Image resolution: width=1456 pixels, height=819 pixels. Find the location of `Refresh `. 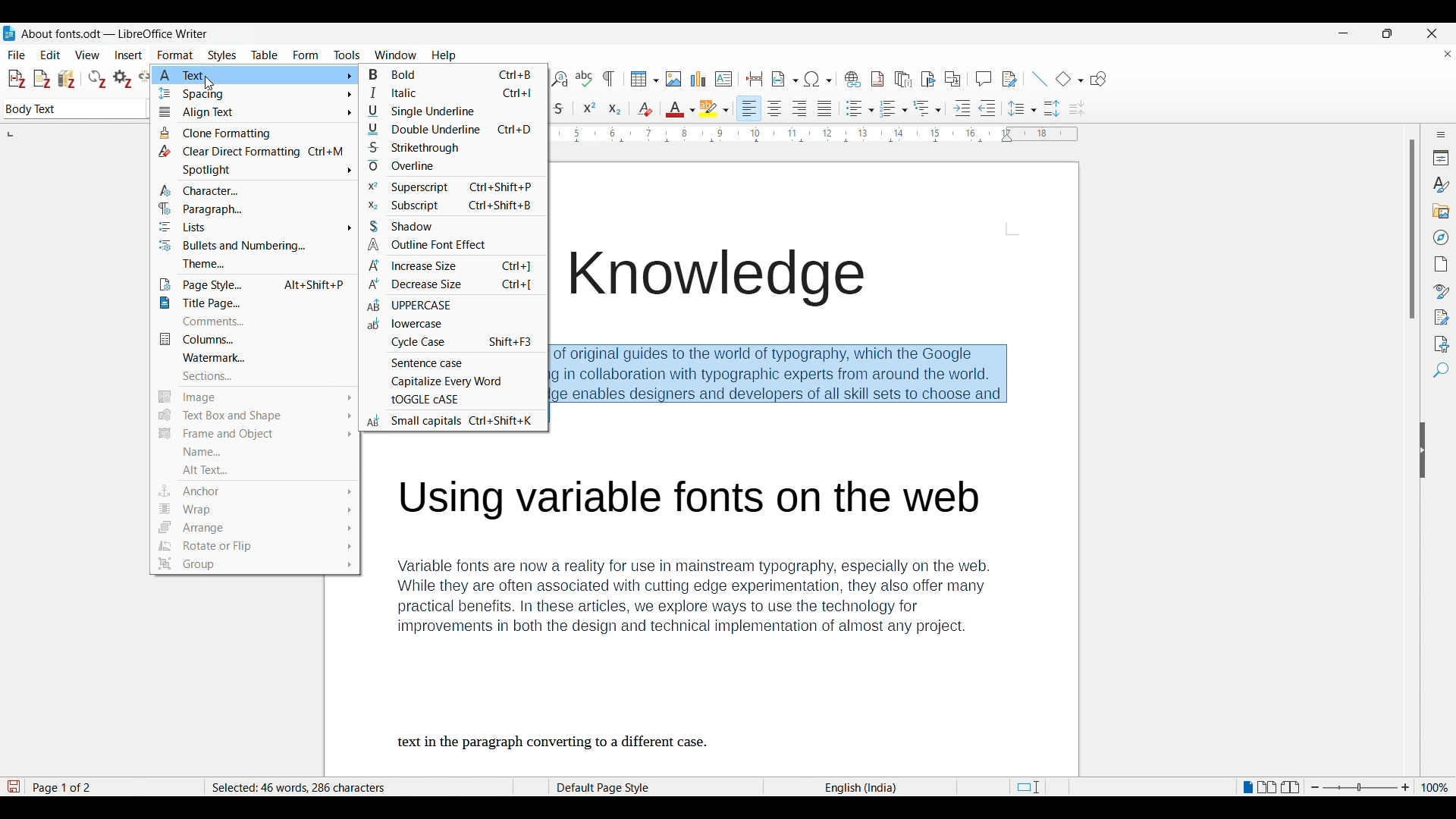

Refresh  is located at coordinates (97, 79).